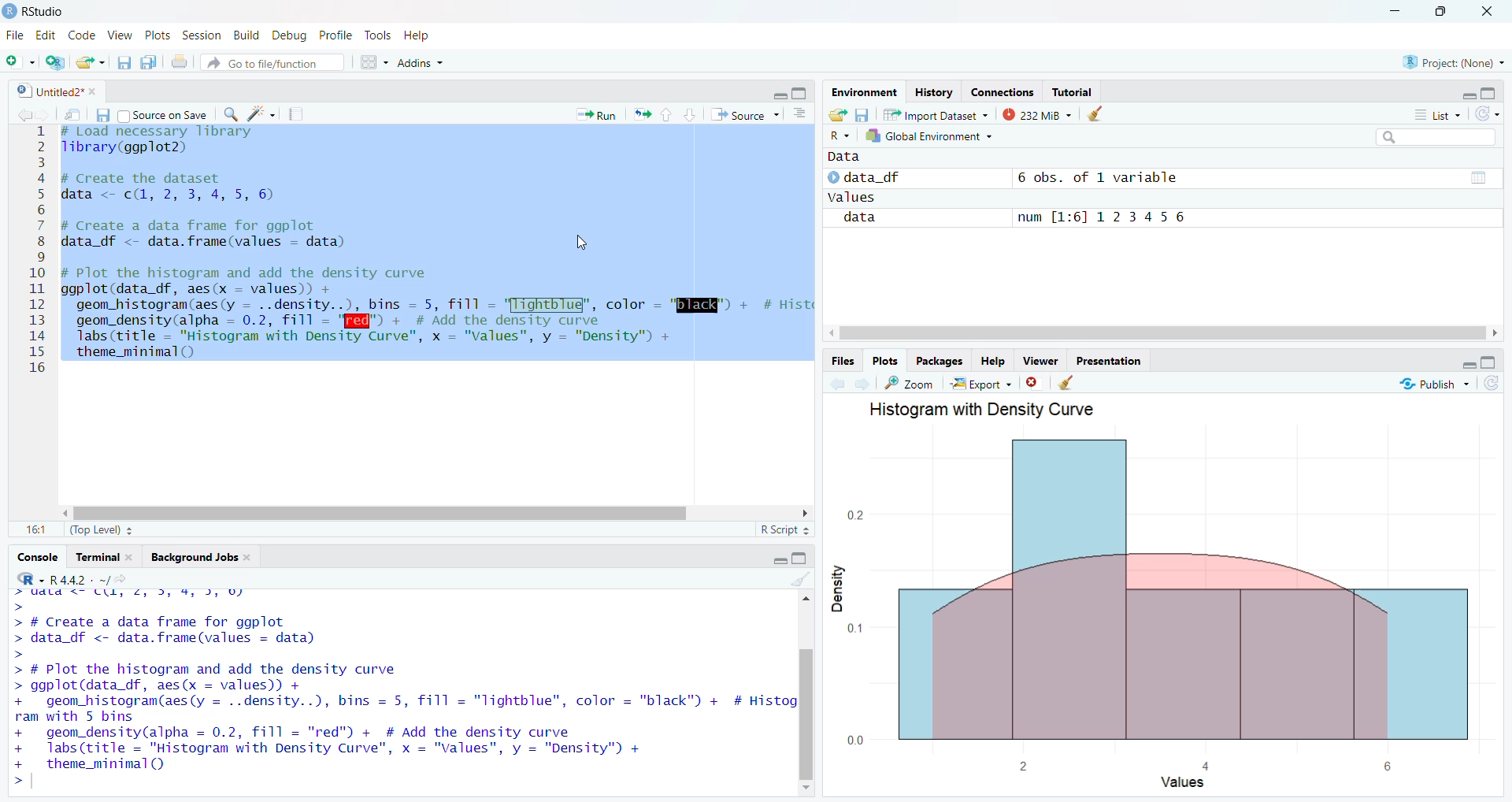 This screenshot has height=802, width=1512. Describe the element at coordinates (1190, 784) in the screenshot. I see `values` at that location.